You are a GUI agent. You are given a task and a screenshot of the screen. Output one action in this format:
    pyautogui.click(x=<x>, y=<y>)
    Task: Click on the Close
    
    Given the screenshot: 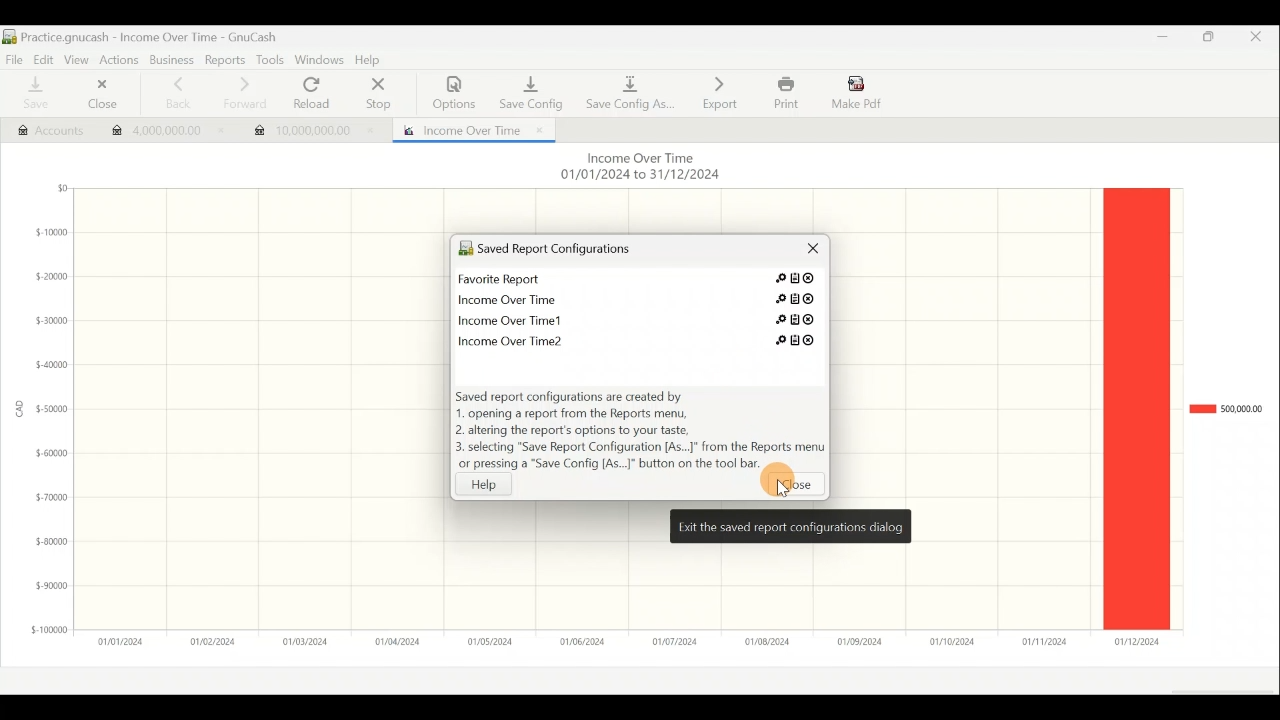 What is the action you would take?
    pyautogui.click(x=98, y=96)
    